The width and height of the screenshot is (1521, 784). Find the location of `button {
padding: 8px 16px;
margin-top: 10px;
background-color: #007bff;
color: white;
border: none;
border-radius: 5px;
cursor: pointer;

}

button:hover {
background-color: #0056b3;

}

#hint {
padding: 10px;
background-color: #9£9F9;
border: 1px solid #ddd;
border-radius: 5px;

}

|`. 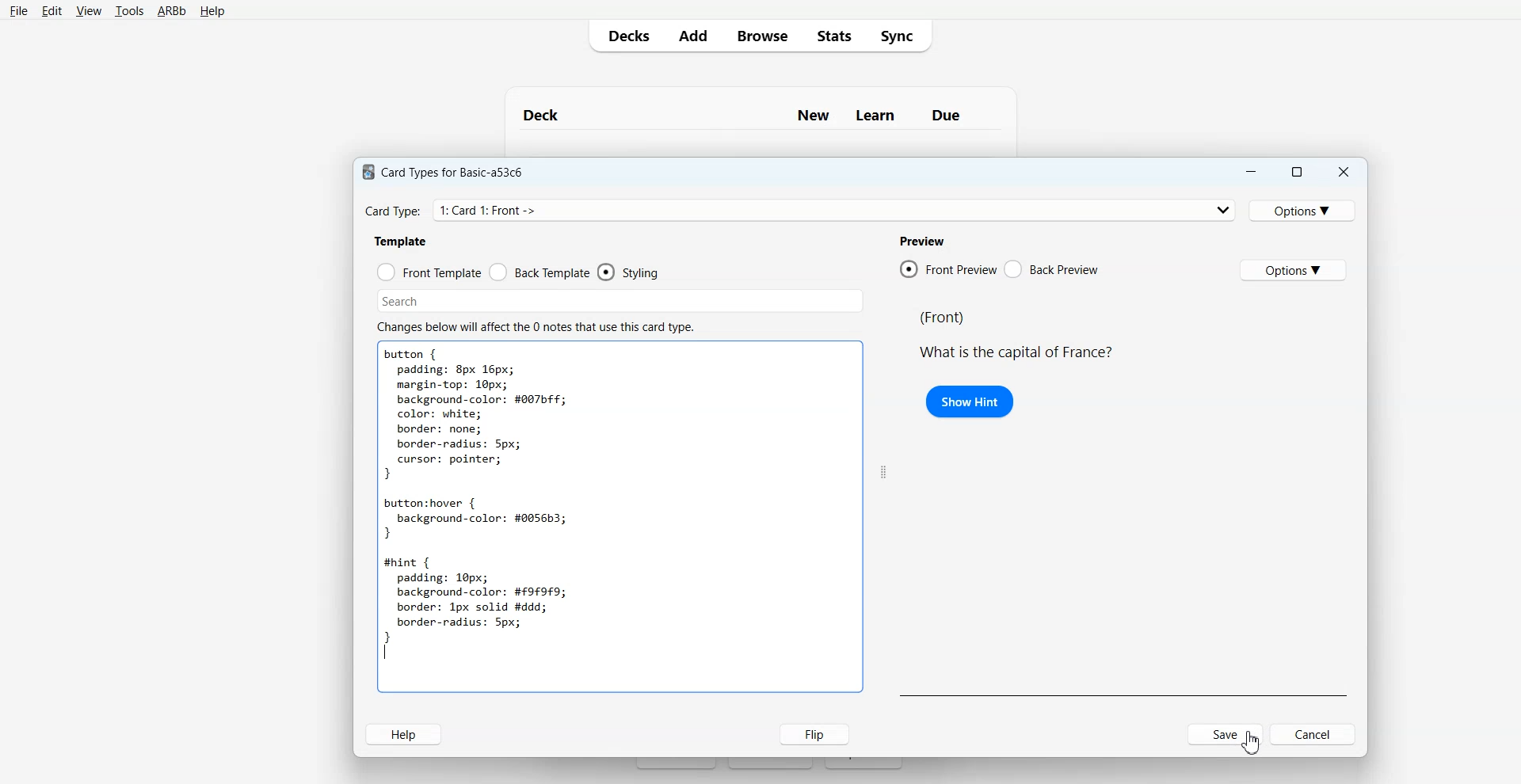

button {
padding: 8px 16px;
margin-top: 10px;
background-color: #007bff;
color: white;
border: none;
border-radius: 5px;
cursor: pointer;

}

button:hover {
background-color: #0056b3;

}

#hint {
padding: 10px;
background-color: #9£9F9;
border: 1px solid #ddd;
border-radius: 5px;

}

| is located at coordinates (483, 512).